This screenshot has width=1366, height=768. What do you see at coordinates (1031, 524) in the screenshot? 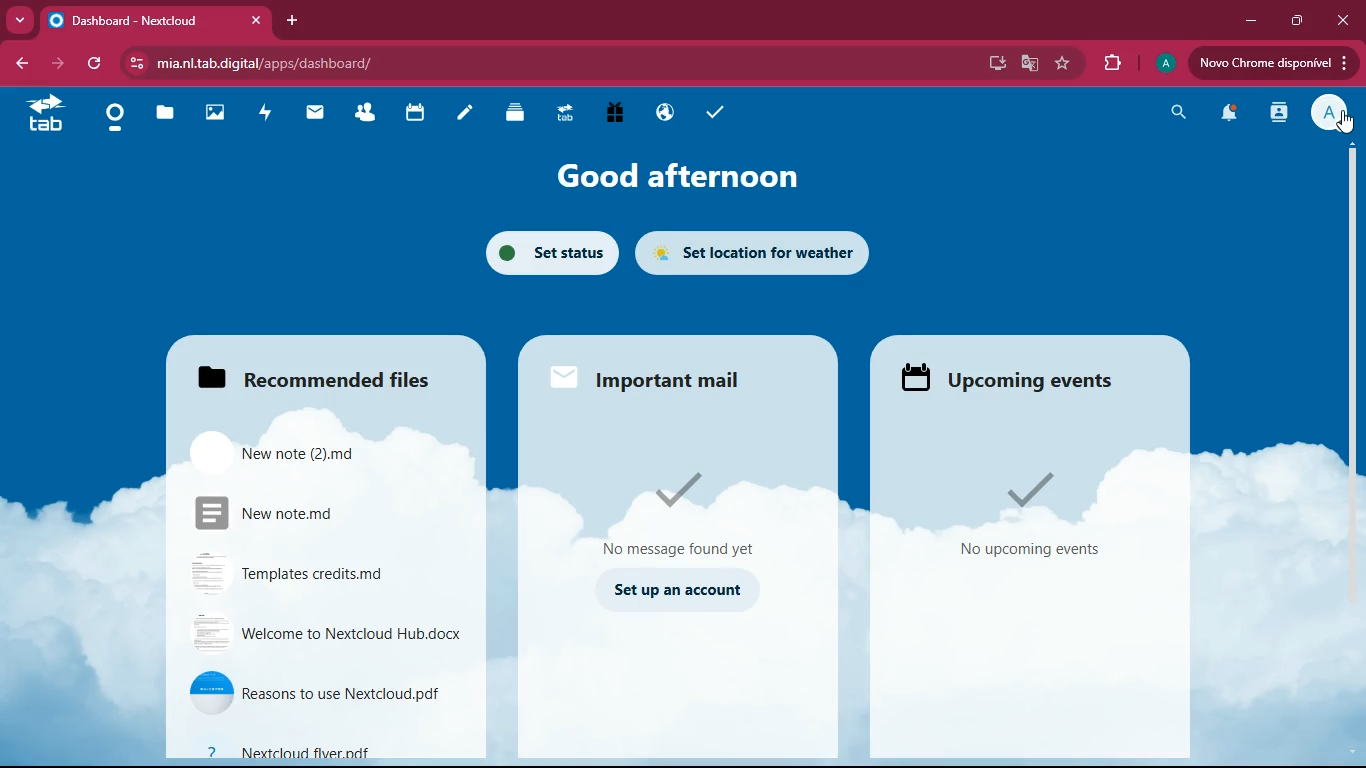
I see `events` at bounding box center [1031, 524].